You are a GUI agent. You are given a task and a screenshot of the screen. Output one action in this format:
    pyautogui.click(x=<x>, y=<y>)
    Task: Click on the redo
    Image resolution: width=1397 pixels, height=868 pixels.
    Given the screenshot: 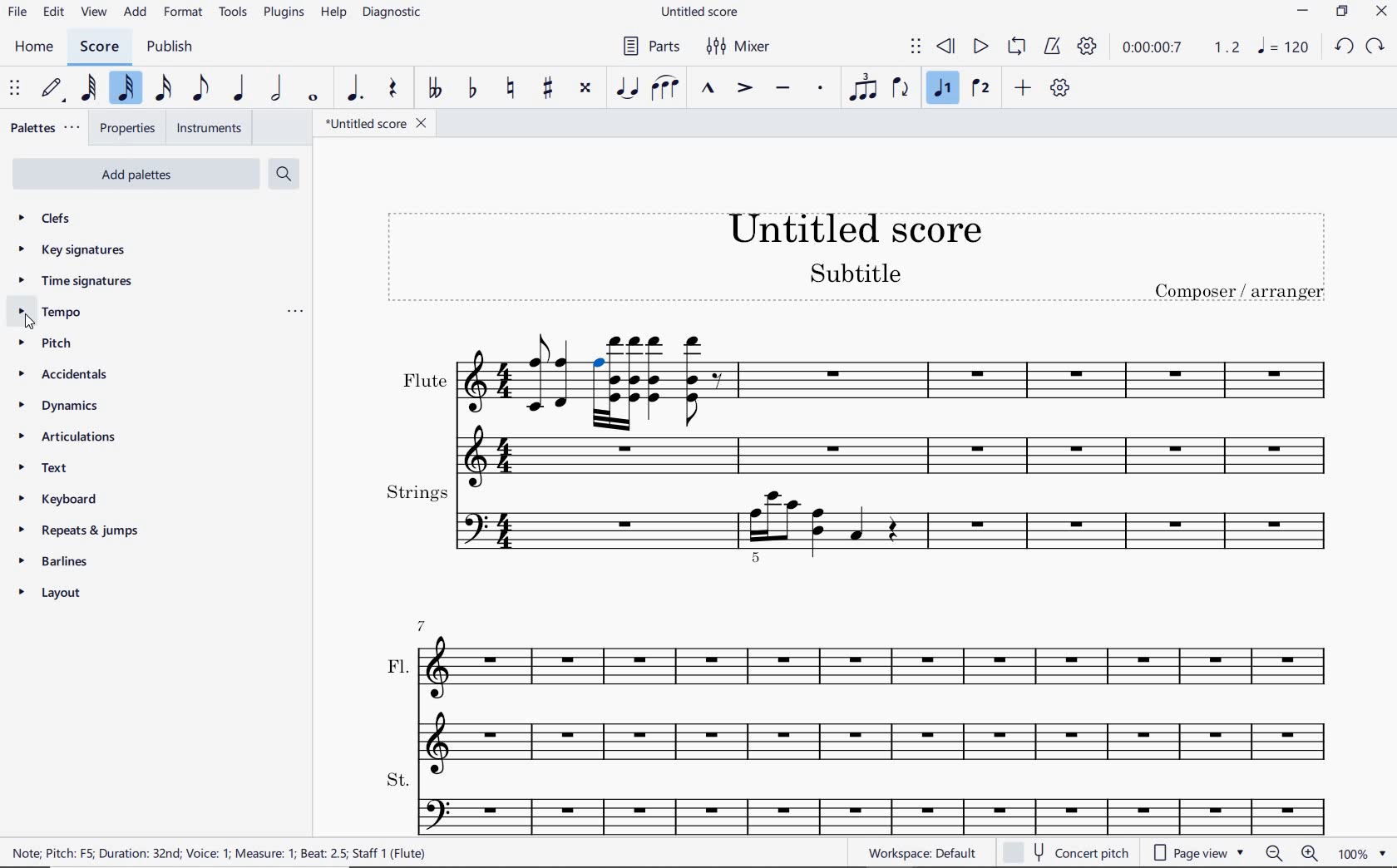 What is the action you would take?
    pyautogui.click(x=1376, y=47)
    